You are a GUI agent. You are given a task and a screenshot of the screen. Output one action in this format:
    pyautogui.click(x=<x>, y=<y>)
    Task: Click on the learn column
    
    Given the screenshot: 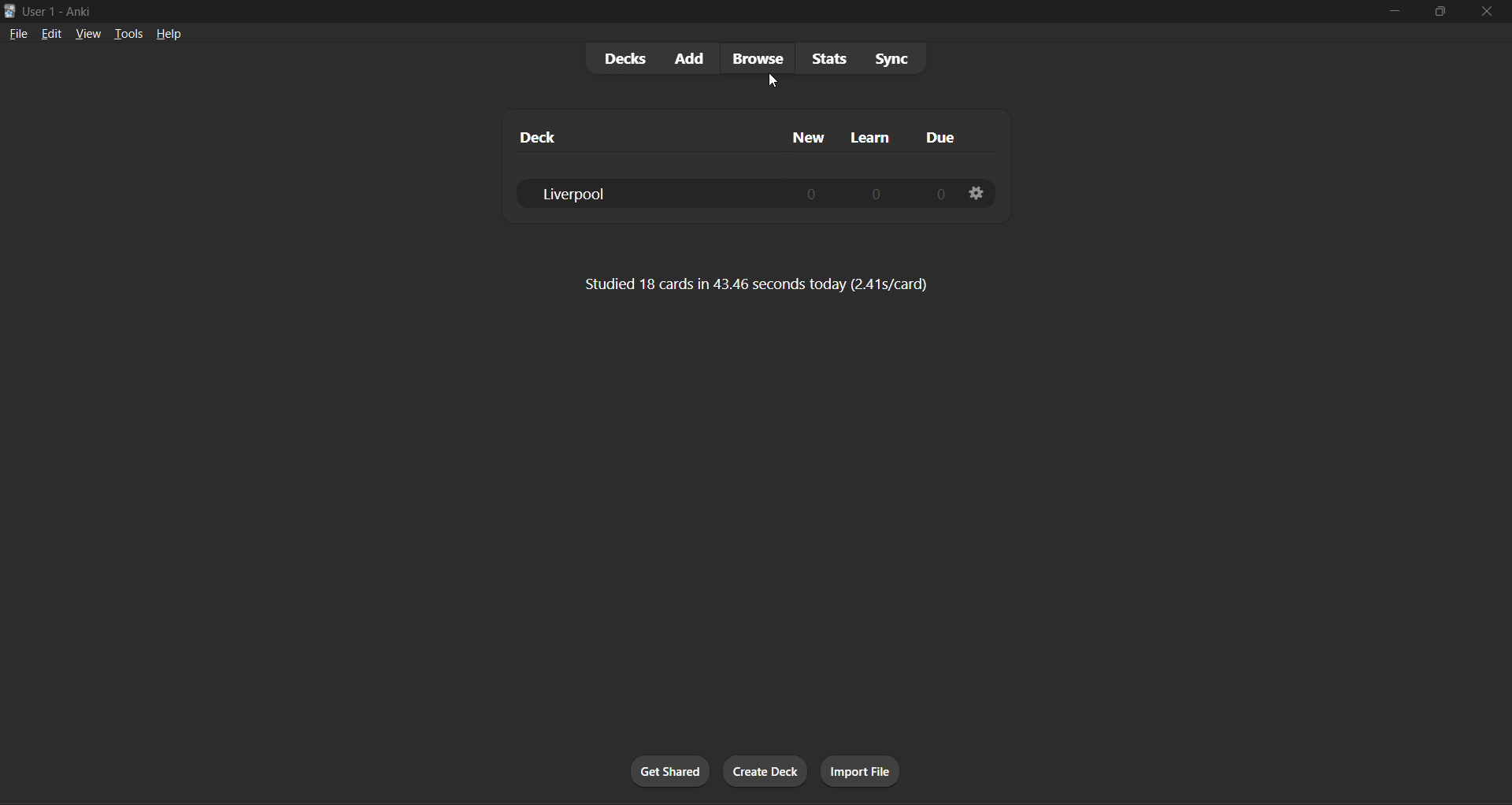 What is the action you would take?
    pyautogui.click(x=876, y=135)
    